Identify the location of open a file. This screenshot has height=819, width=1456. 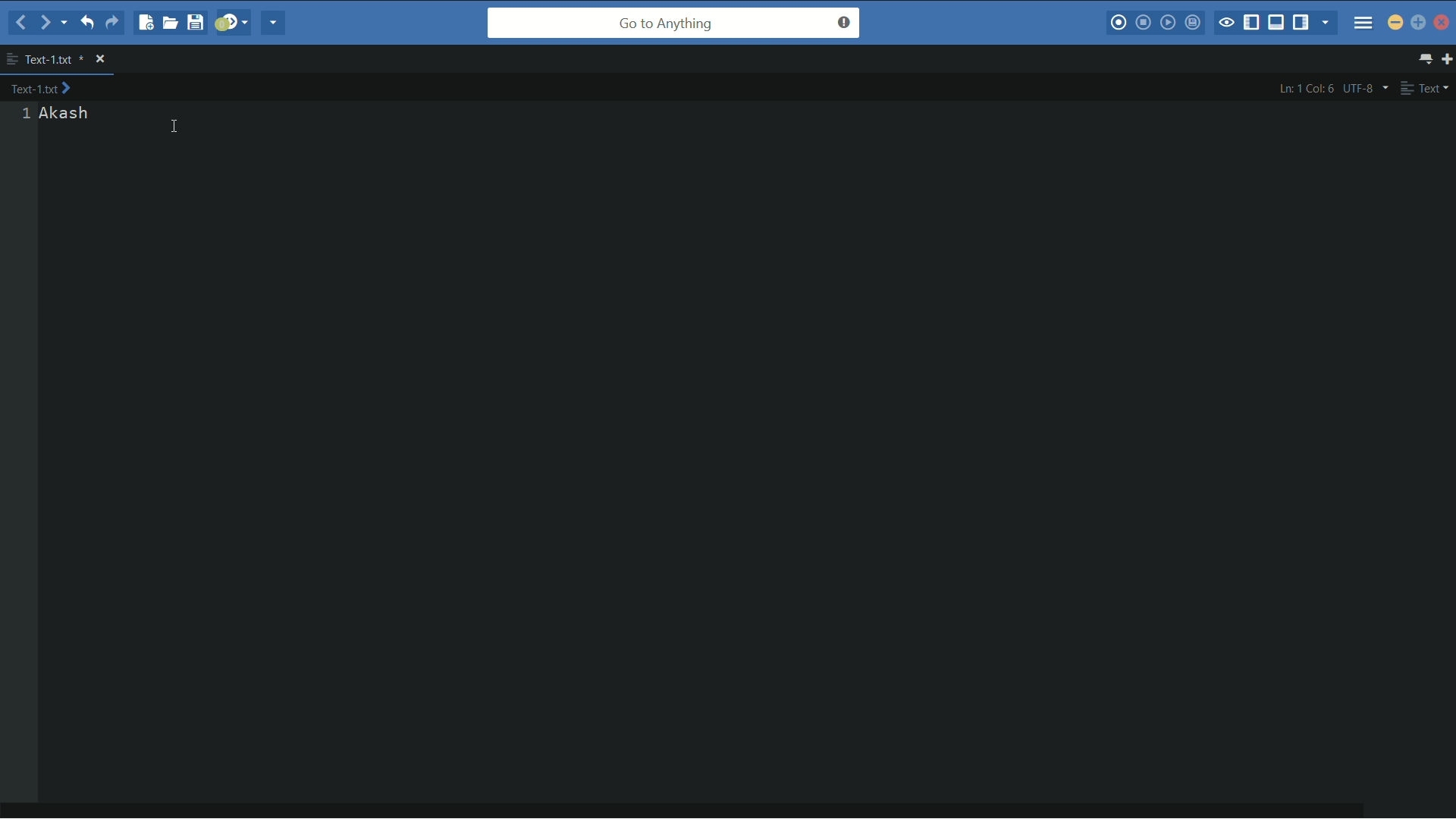
(170, 22).